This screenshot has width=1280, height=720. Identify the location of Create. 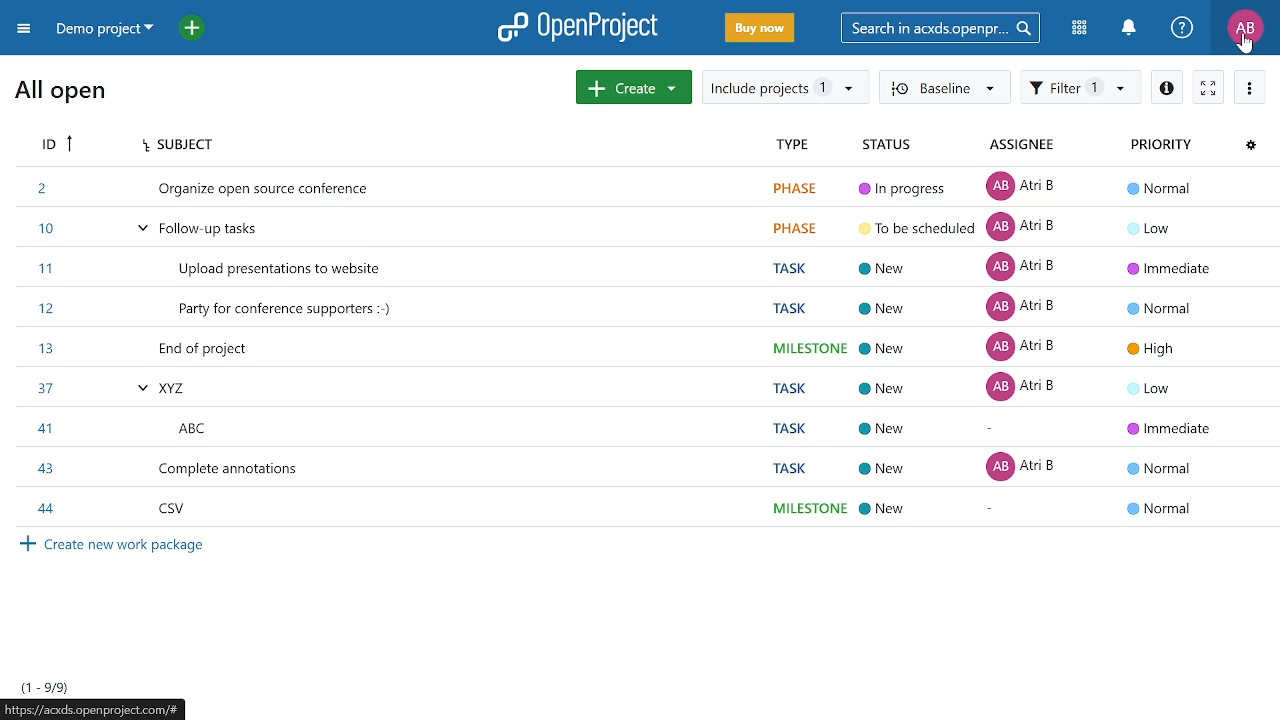
(634, 87).